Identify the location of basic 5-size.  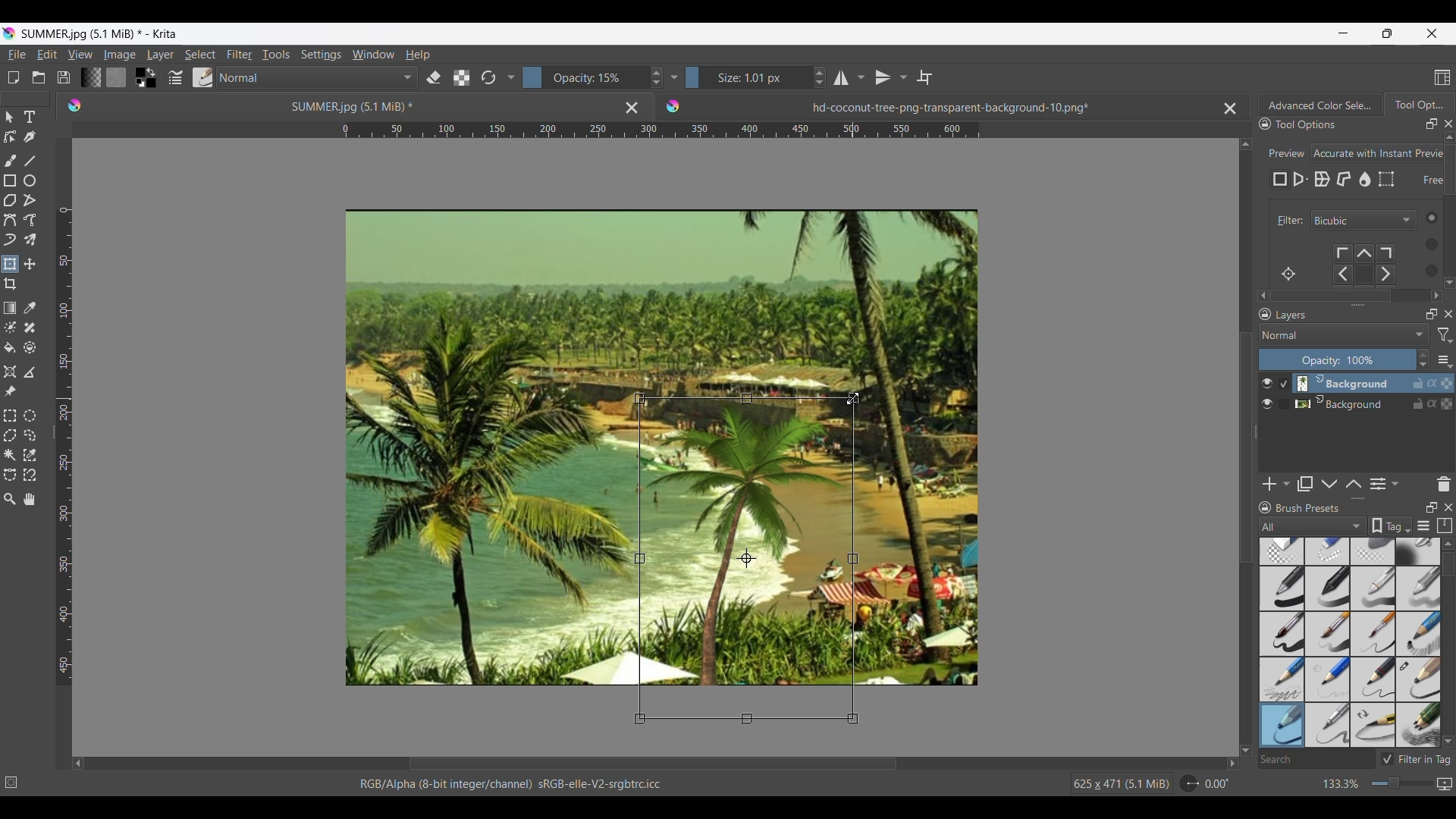
(1283, 634).